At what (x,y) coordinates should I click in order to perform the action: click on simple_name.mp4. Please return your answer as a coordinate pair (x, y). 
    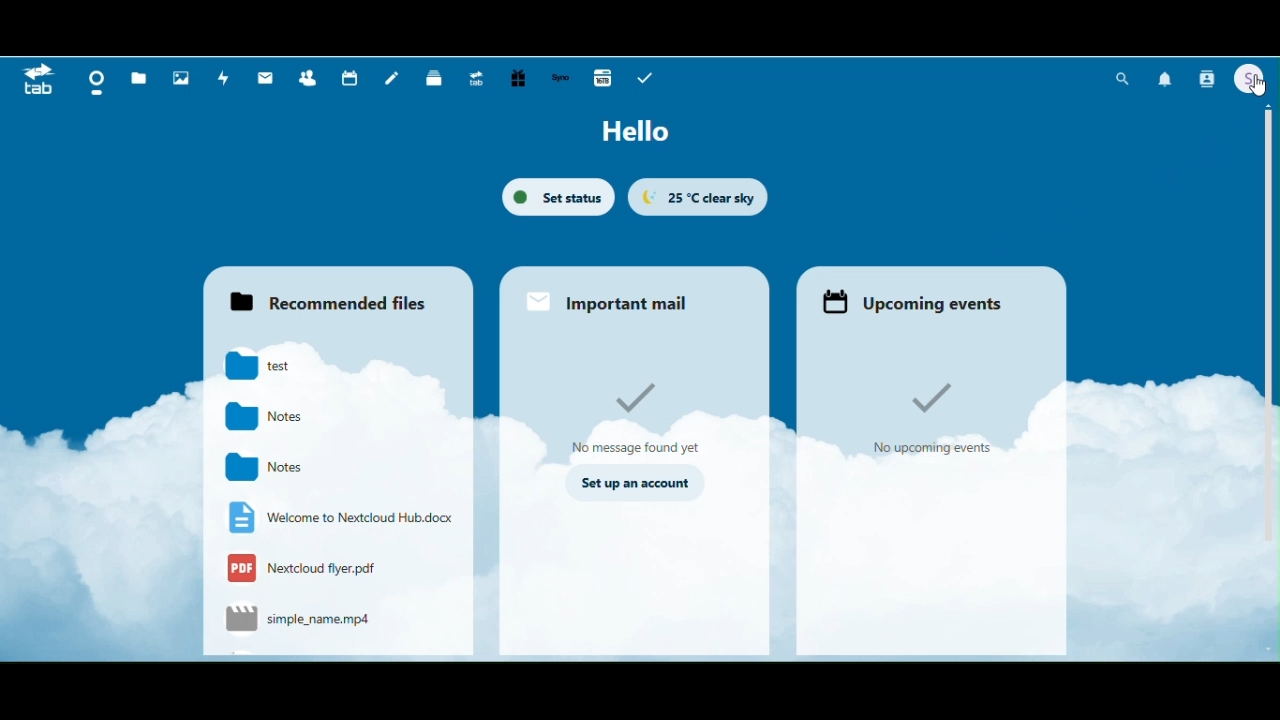
    Looking at the image, I should click on (300, 620).